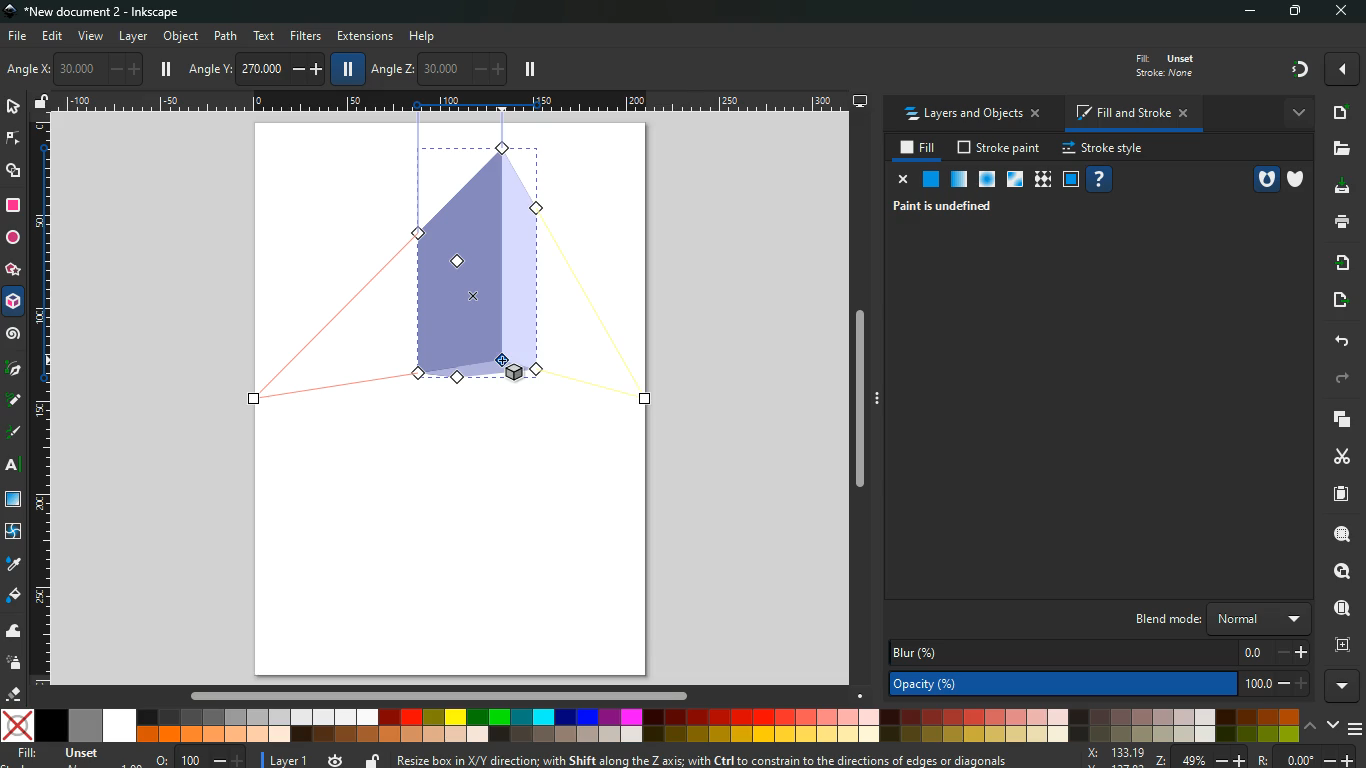 This screenshot has height=768, width=1366. I want to click on download, so click(1338, 187).